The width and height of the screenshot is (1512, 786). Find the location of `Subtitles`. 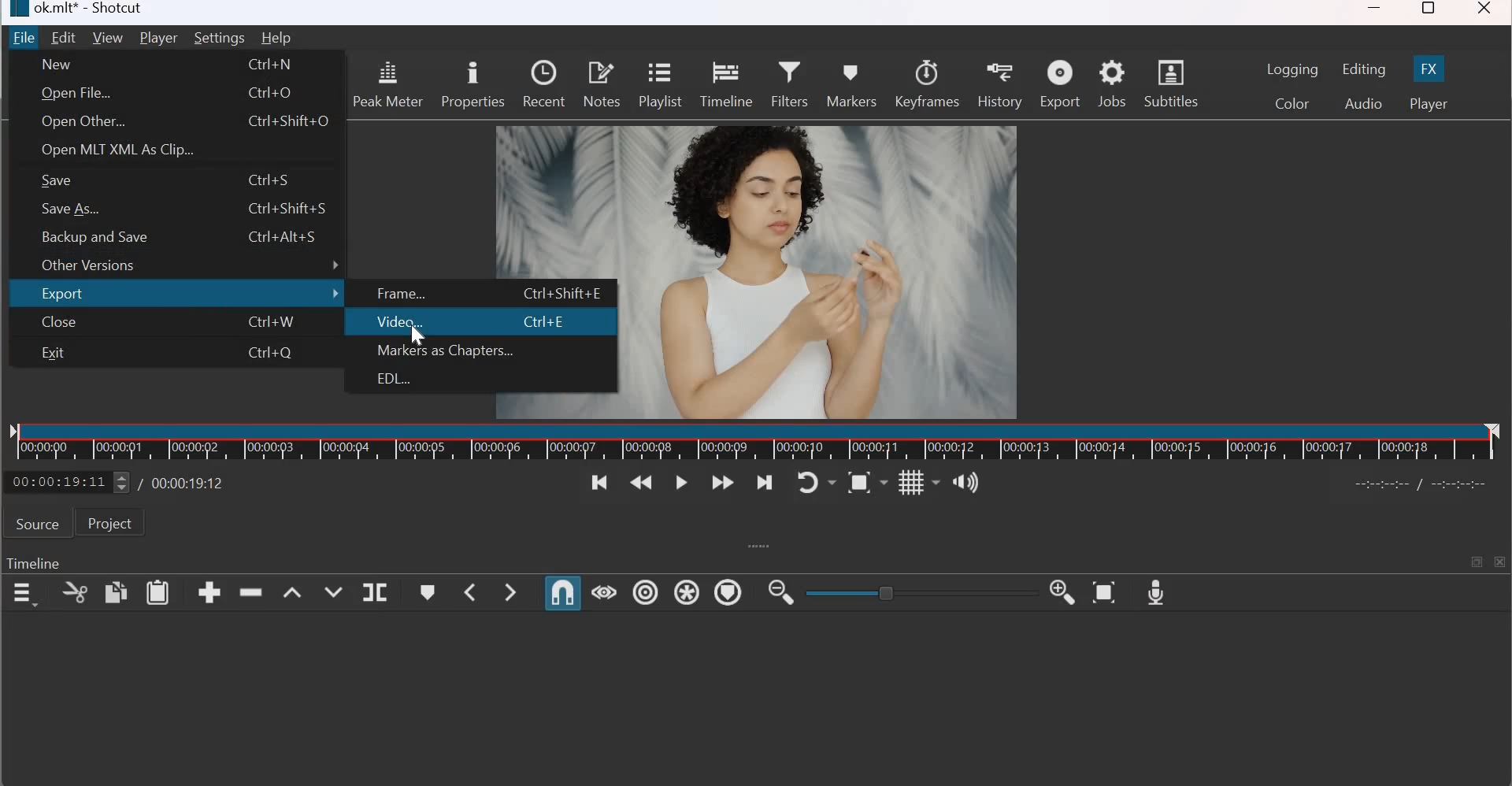

Subtitles is located at coordinates (1176, 82).